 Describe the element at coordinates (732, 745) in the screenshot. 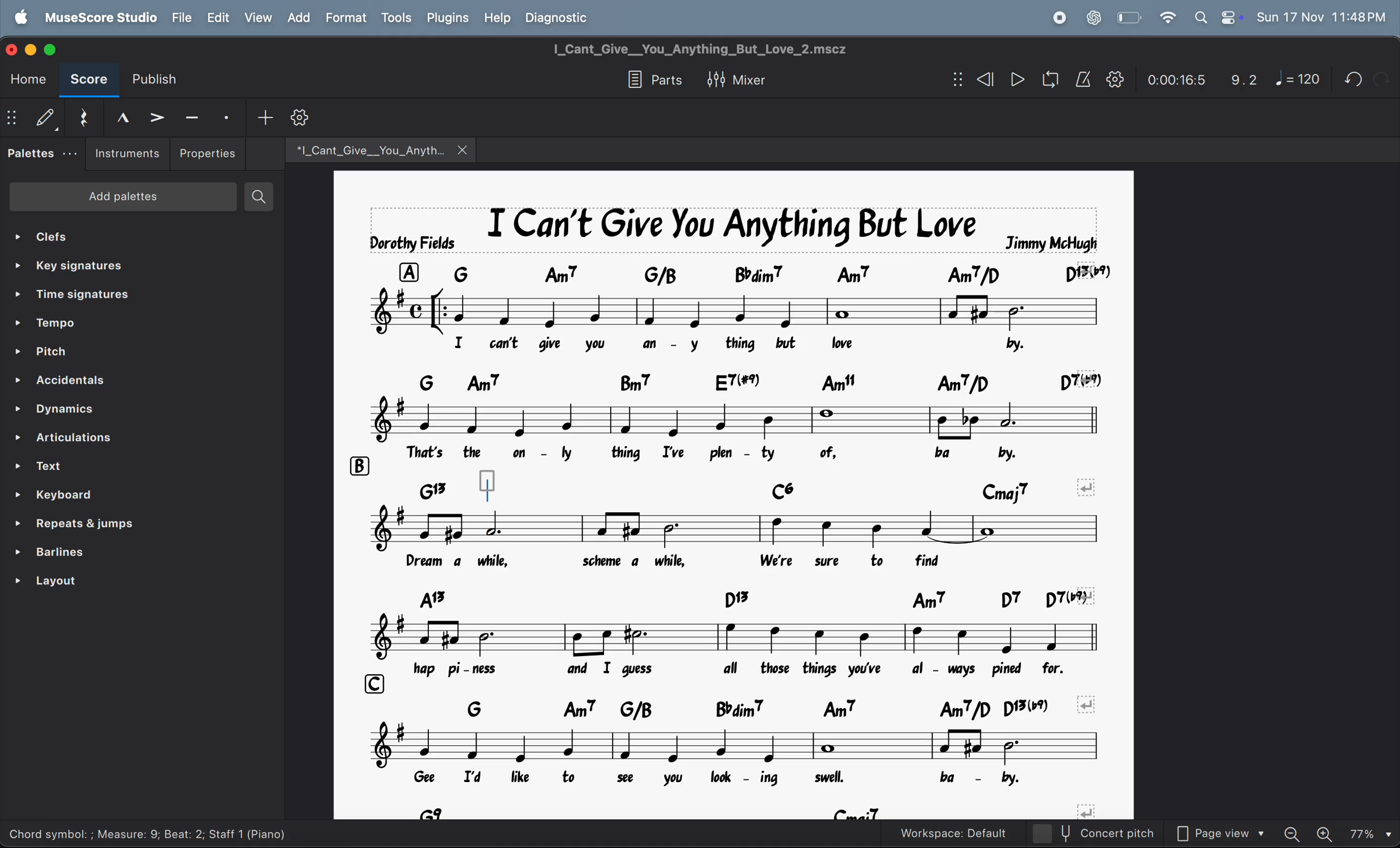

I see `notes` at that location.